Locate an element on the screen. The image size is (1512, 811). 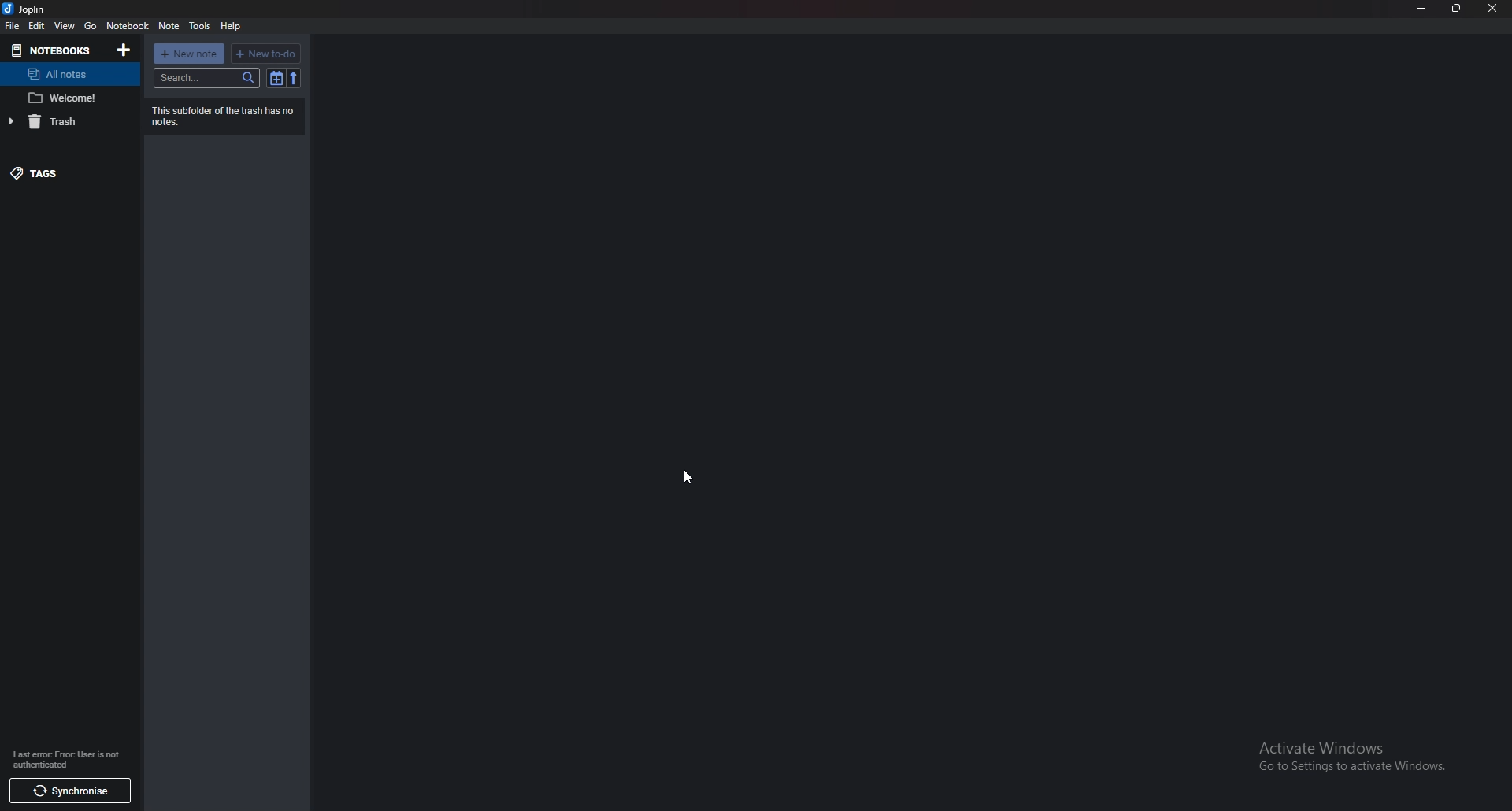
go is located at coordinates (90, 27).